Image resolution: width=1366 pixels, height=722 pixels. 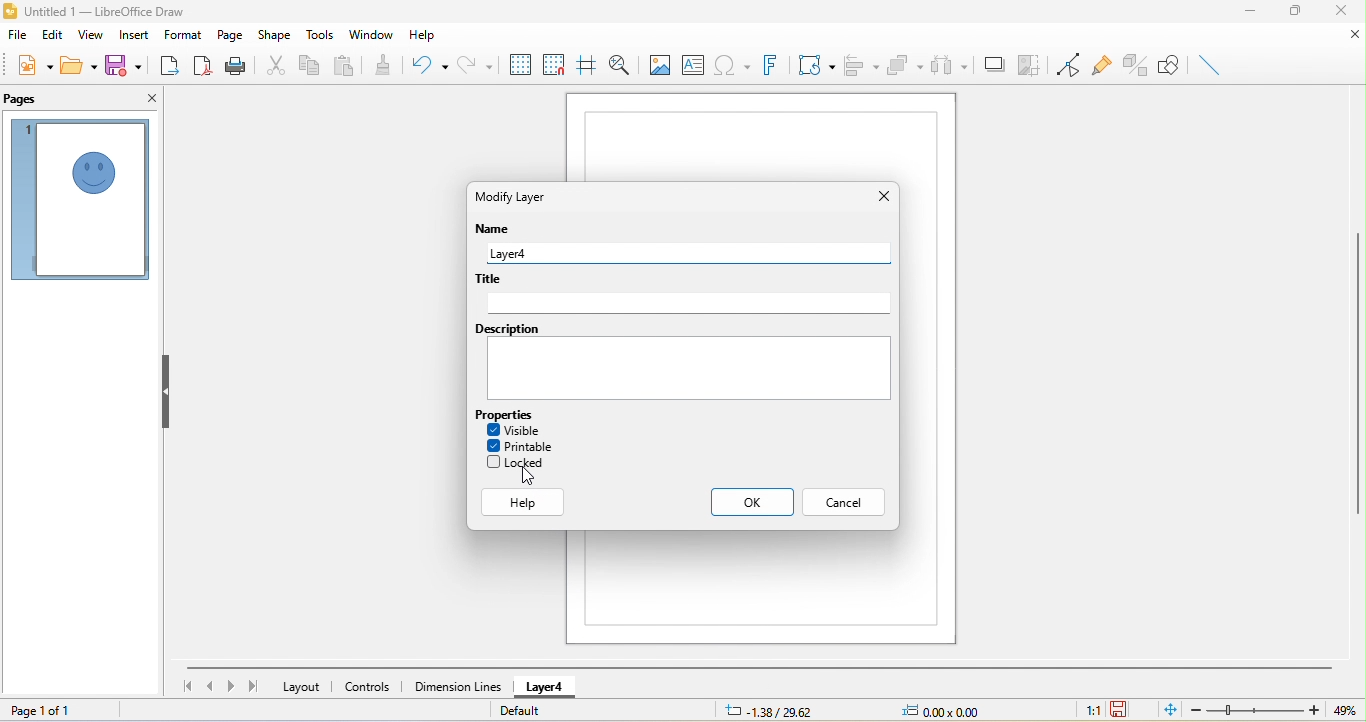 What do you see at coordinates (135, 35) in the screenshot?
I see `insert` at bounding box center [135, 35].